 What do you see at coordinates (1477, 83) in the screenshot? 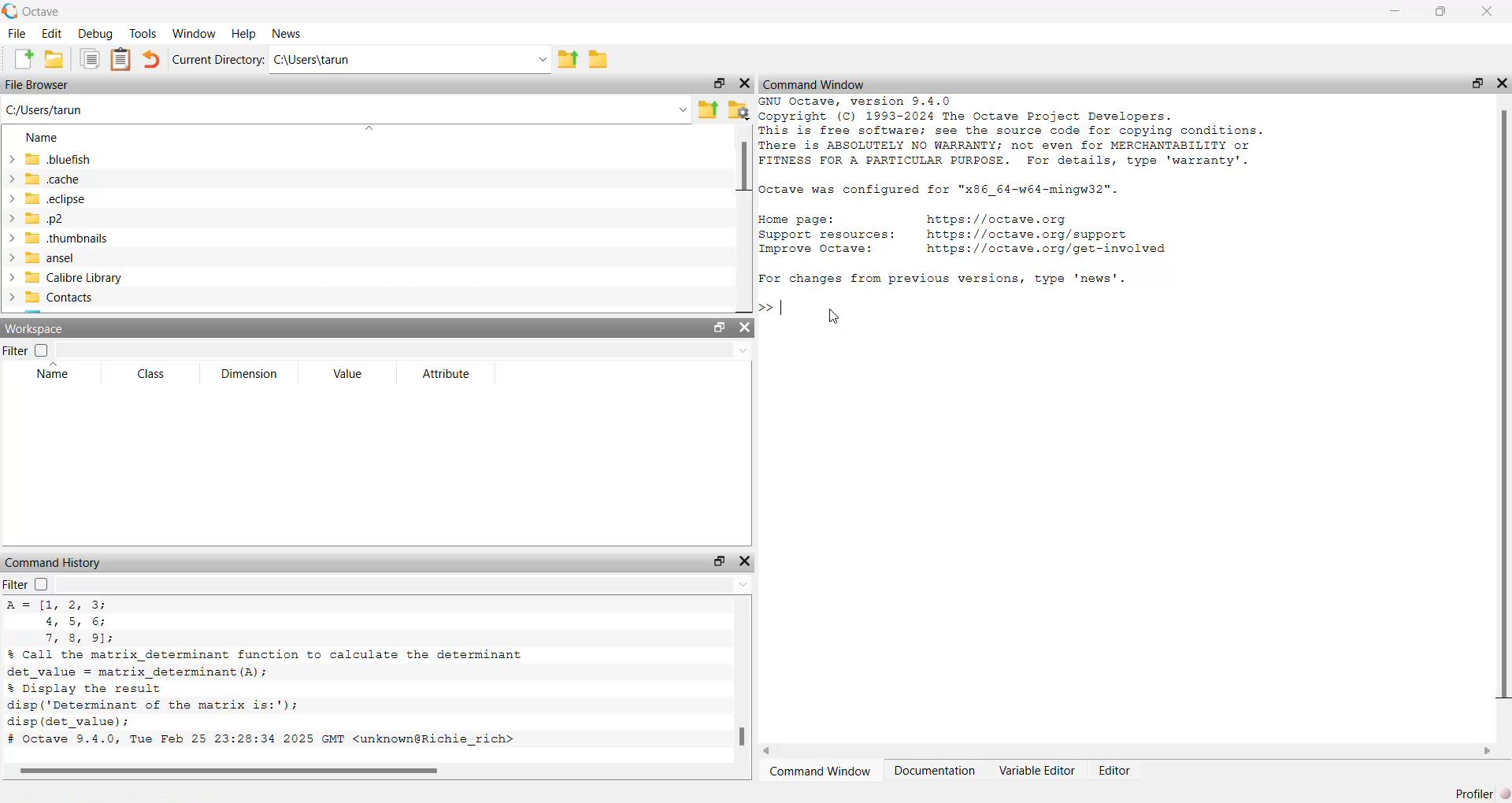
I see `maximize` at bounding box center [1477, 83].